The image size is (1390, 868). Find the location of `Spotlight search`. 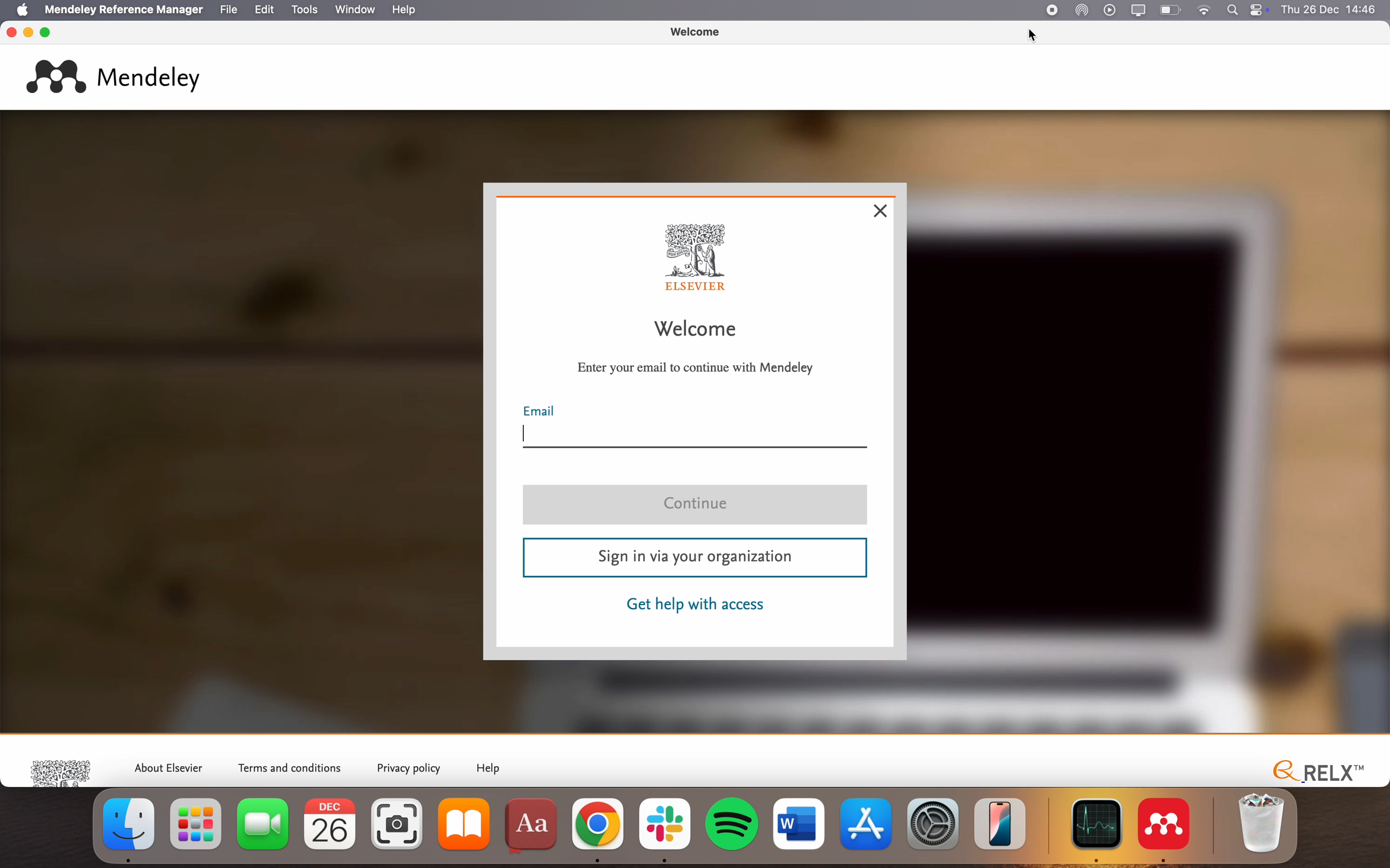

Spotlight search is located at coordinates (1231, 9).